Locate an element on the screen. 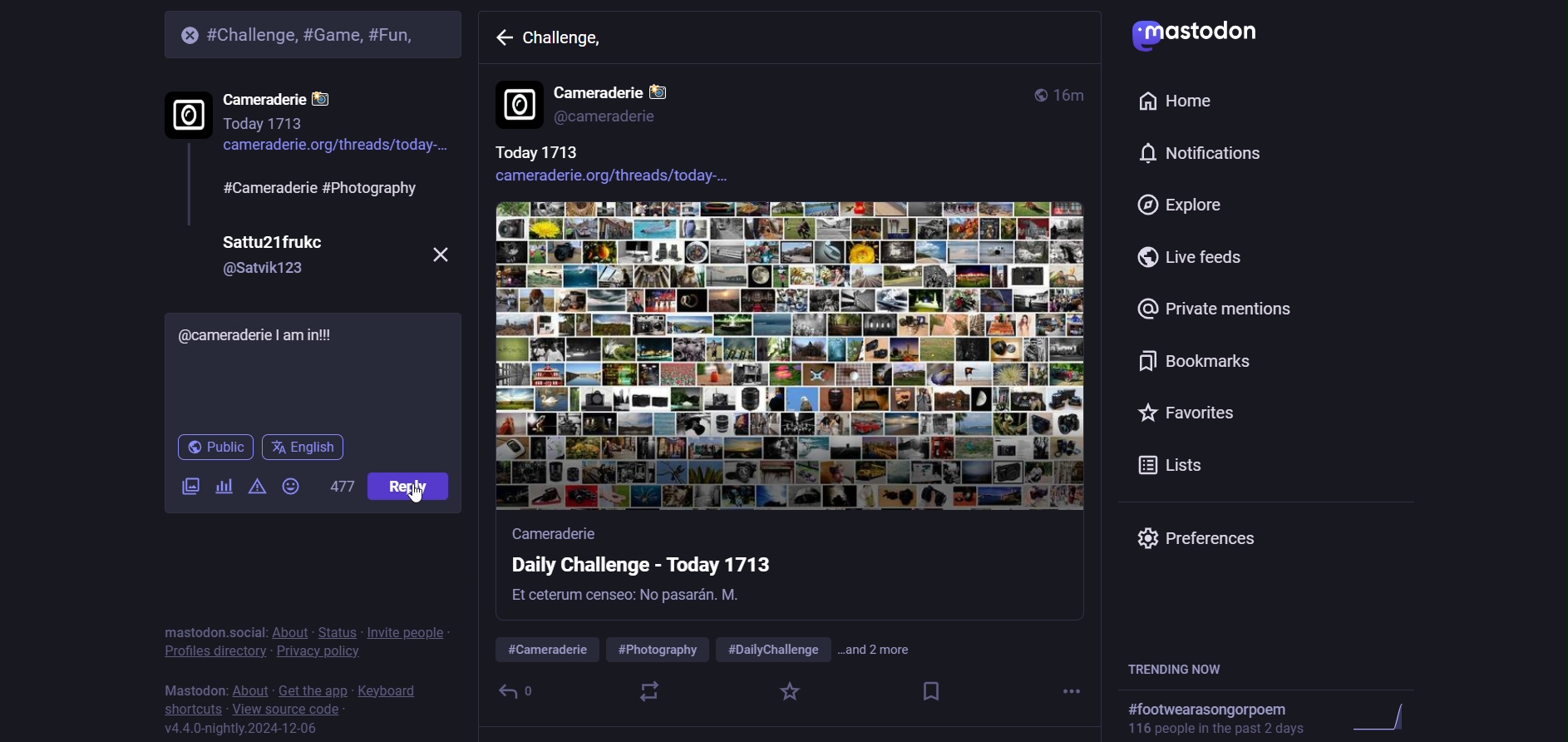  bookmark is located at coordinates (931, 693).